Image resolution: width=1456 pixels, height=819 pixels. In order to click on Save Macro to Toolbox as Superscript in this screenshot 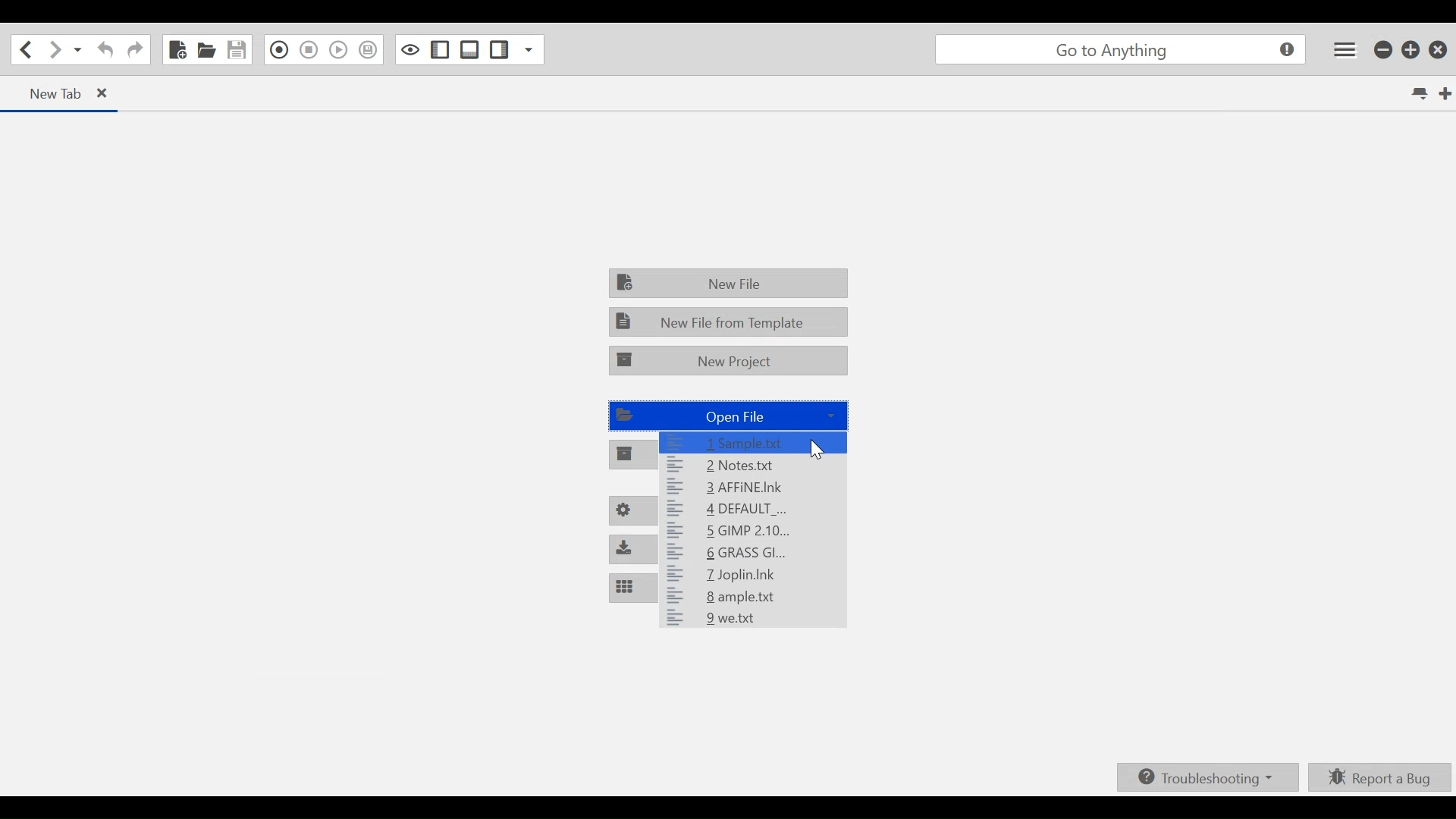, I will do `click(369, 50)`.